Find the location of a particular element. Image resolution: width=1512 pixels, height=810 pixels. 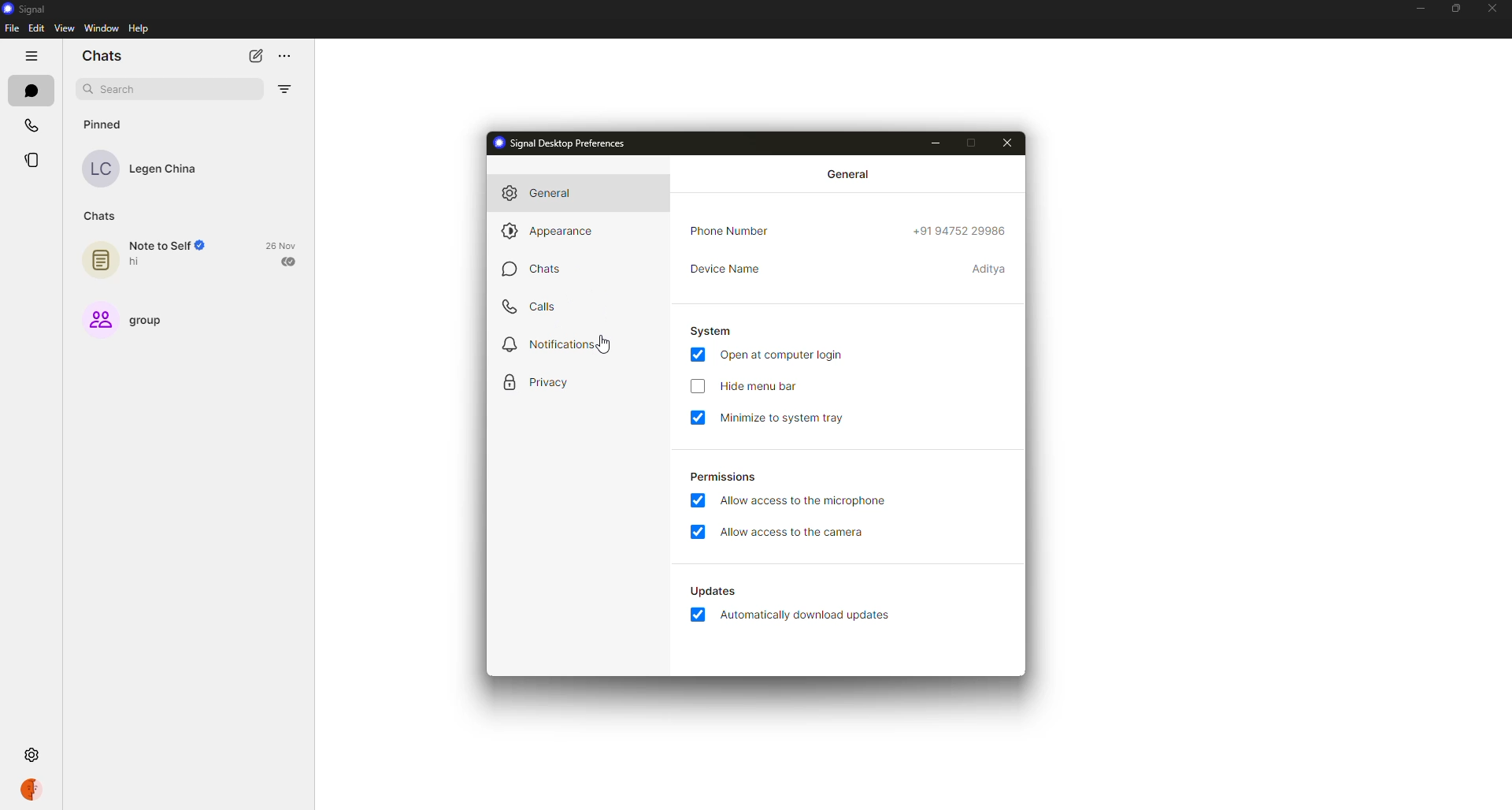

help is located at coordinates (139, 29).